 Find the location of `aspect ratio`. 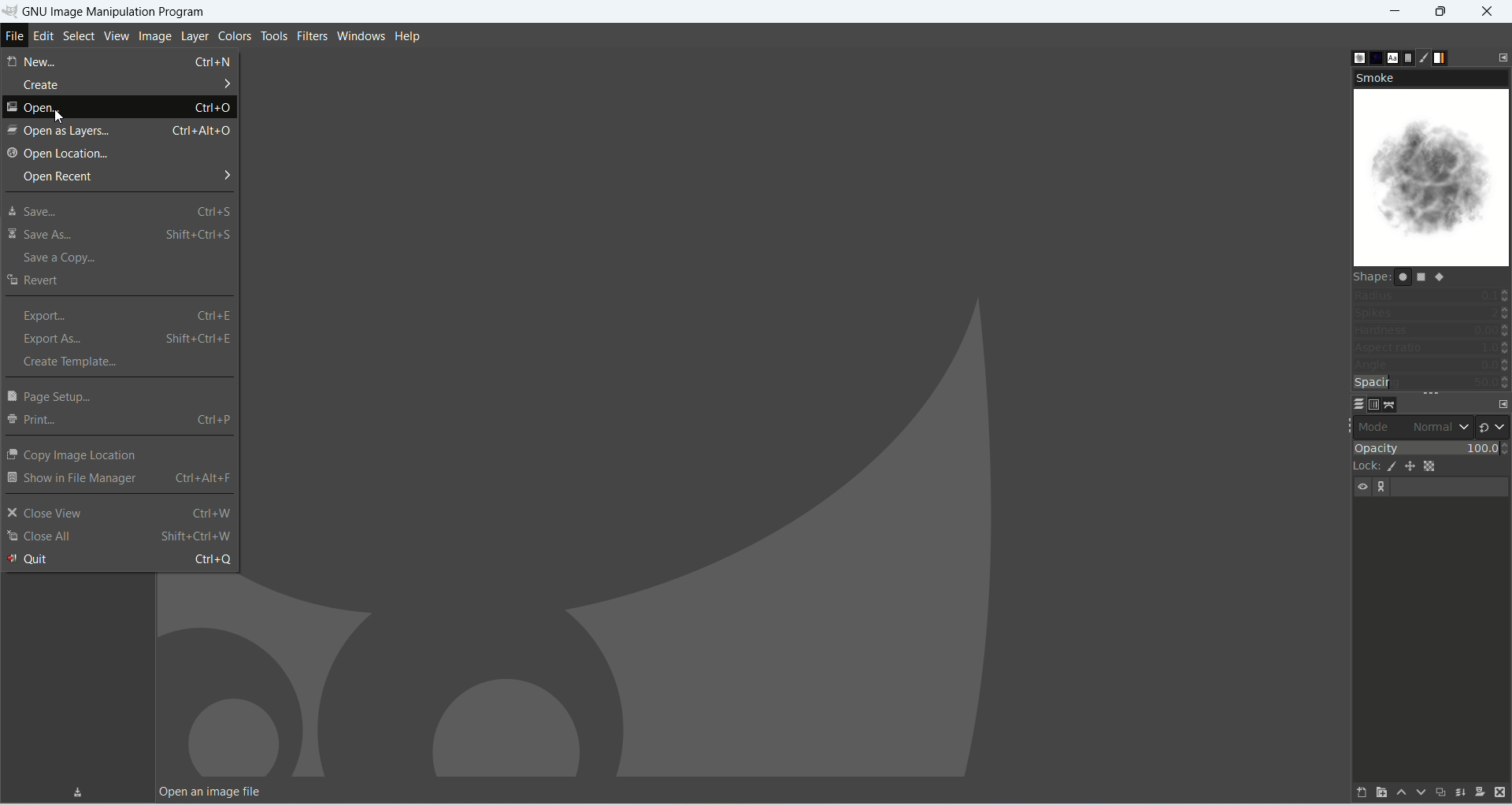

aspect ratio is located at coordinates (1432, 347).